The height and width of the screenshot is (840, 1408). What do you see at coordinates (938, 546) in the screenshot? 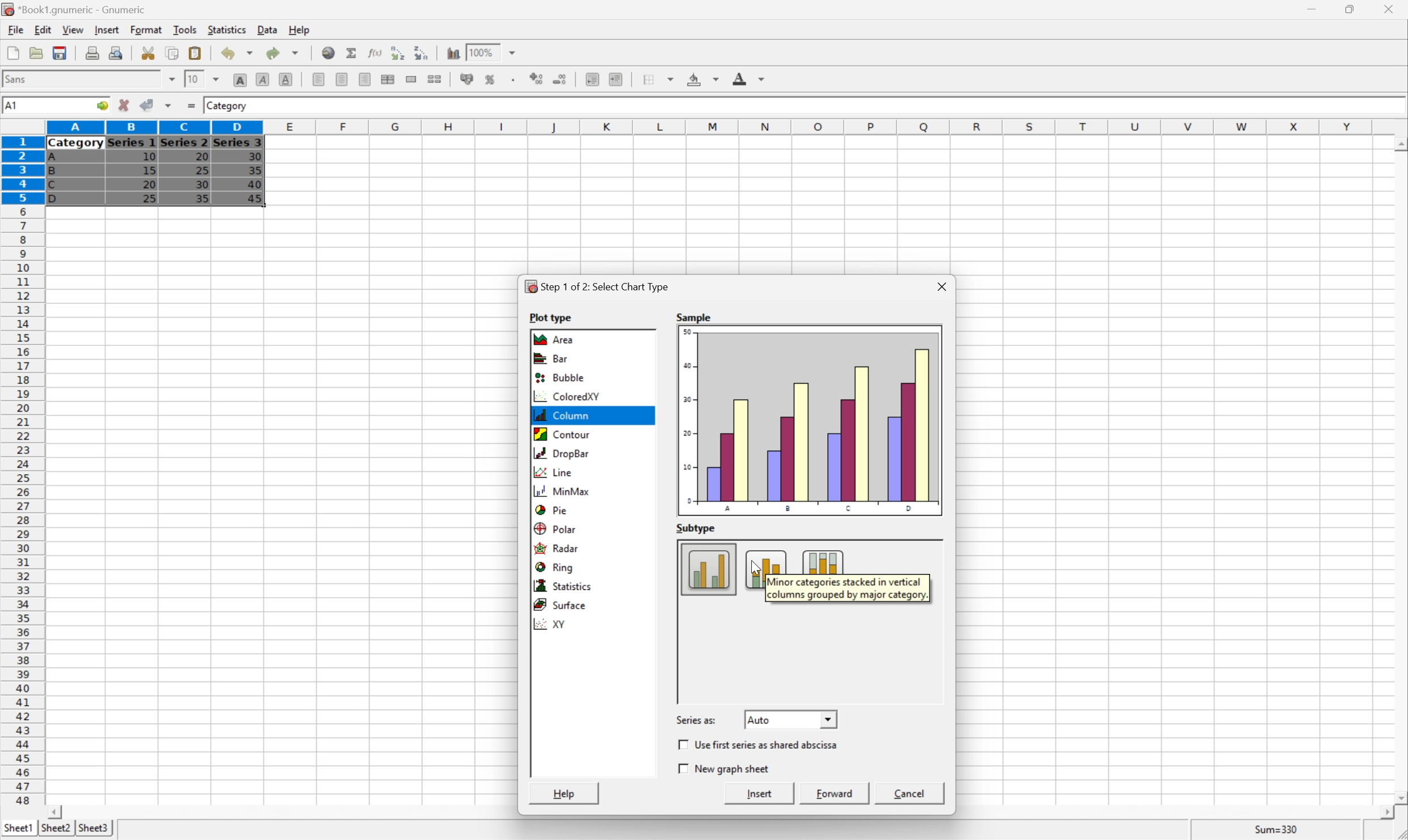
I see `Scroll Up` at bounding box center [938, 546].